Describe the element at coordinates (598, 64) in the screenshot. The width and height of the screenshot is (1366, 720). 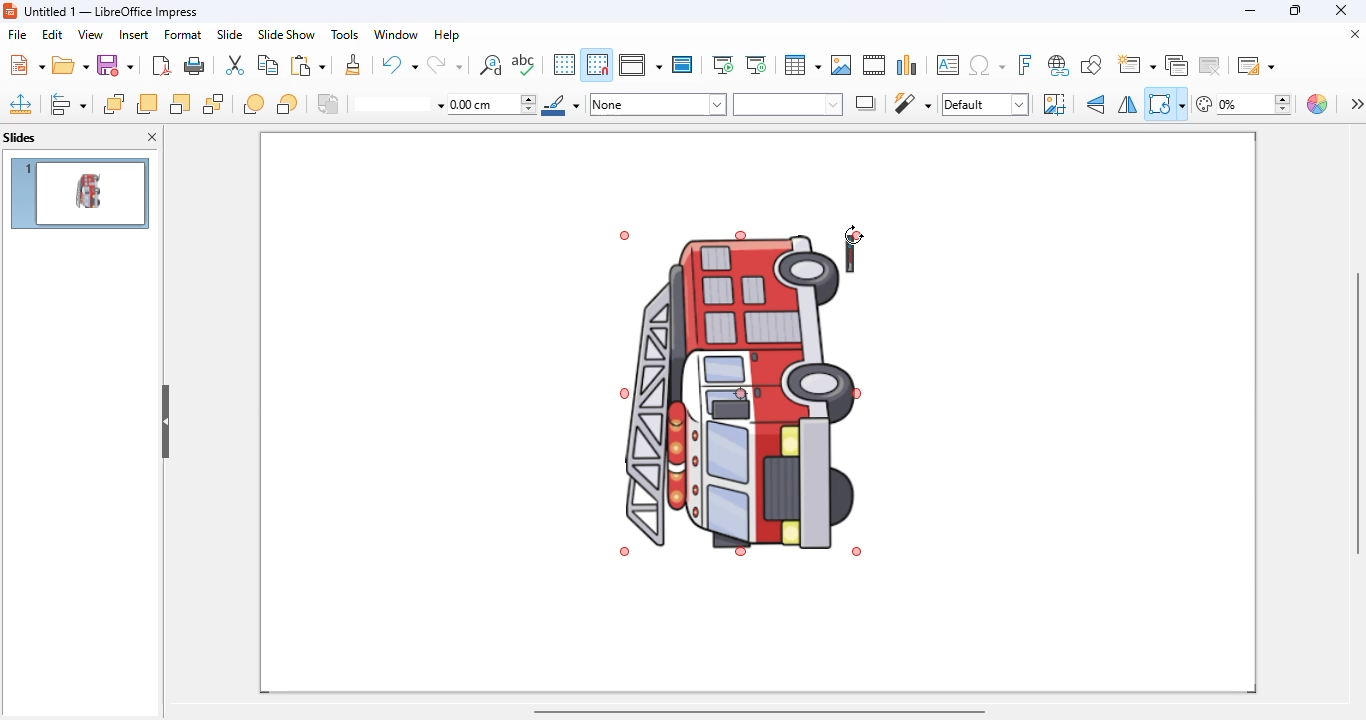
I see `snap to grid` at that location.